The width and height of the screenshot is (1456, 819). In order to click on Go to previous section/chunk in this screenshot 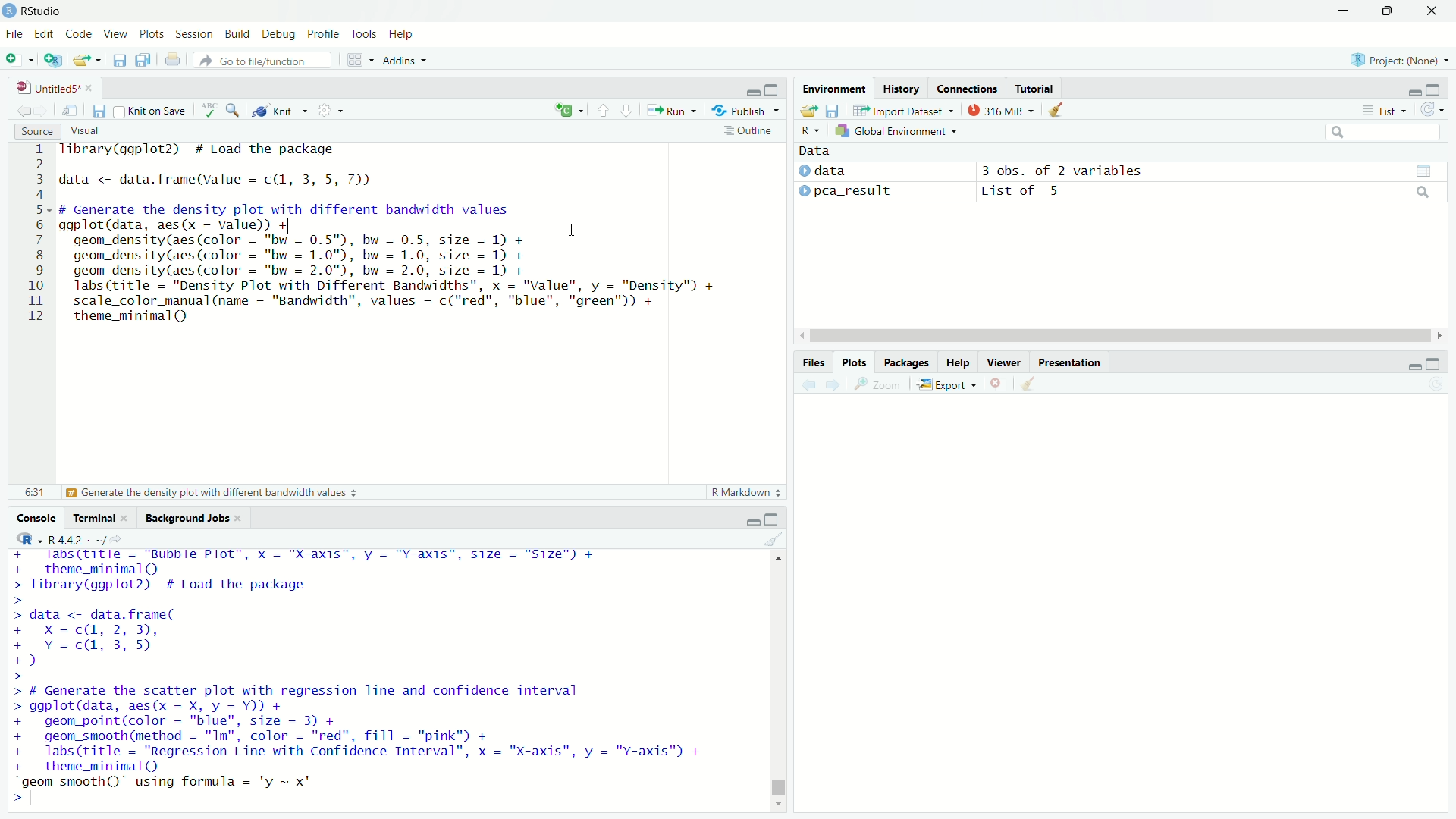, I will do `click(602, 109)`.